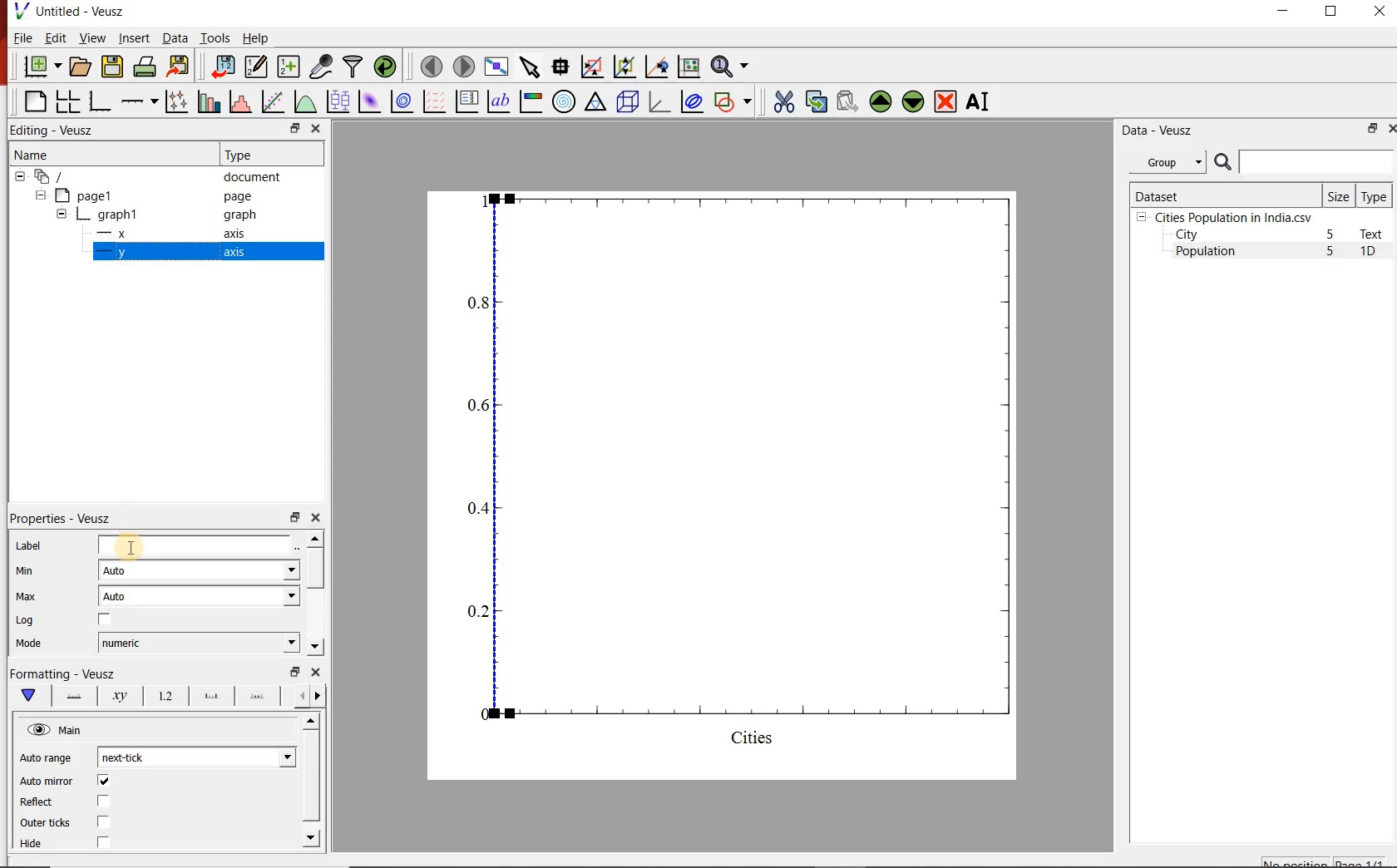 This screenshot has height=868, width=1397. What do you see at coordinates (174, 101) in the screenshot?
I see `plot points with lines and errorbars` at bounding box center [174, 101].